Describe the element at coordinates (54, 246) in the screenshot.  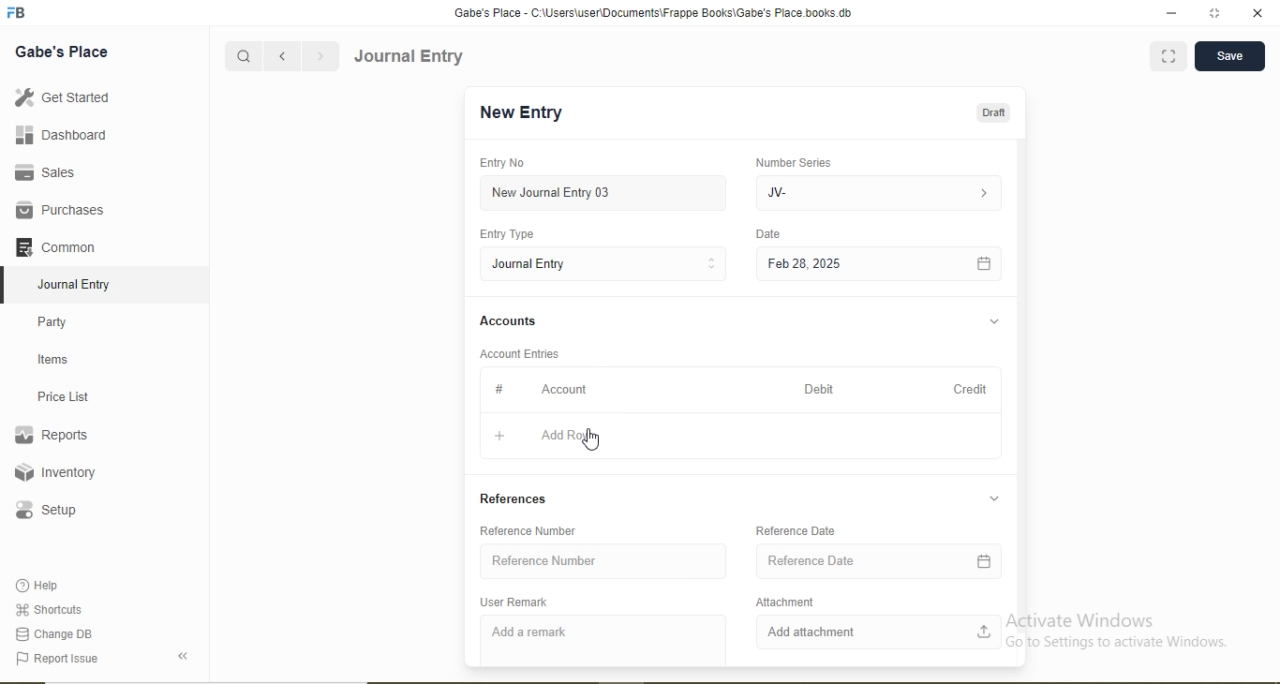
I see `Common` at that location.